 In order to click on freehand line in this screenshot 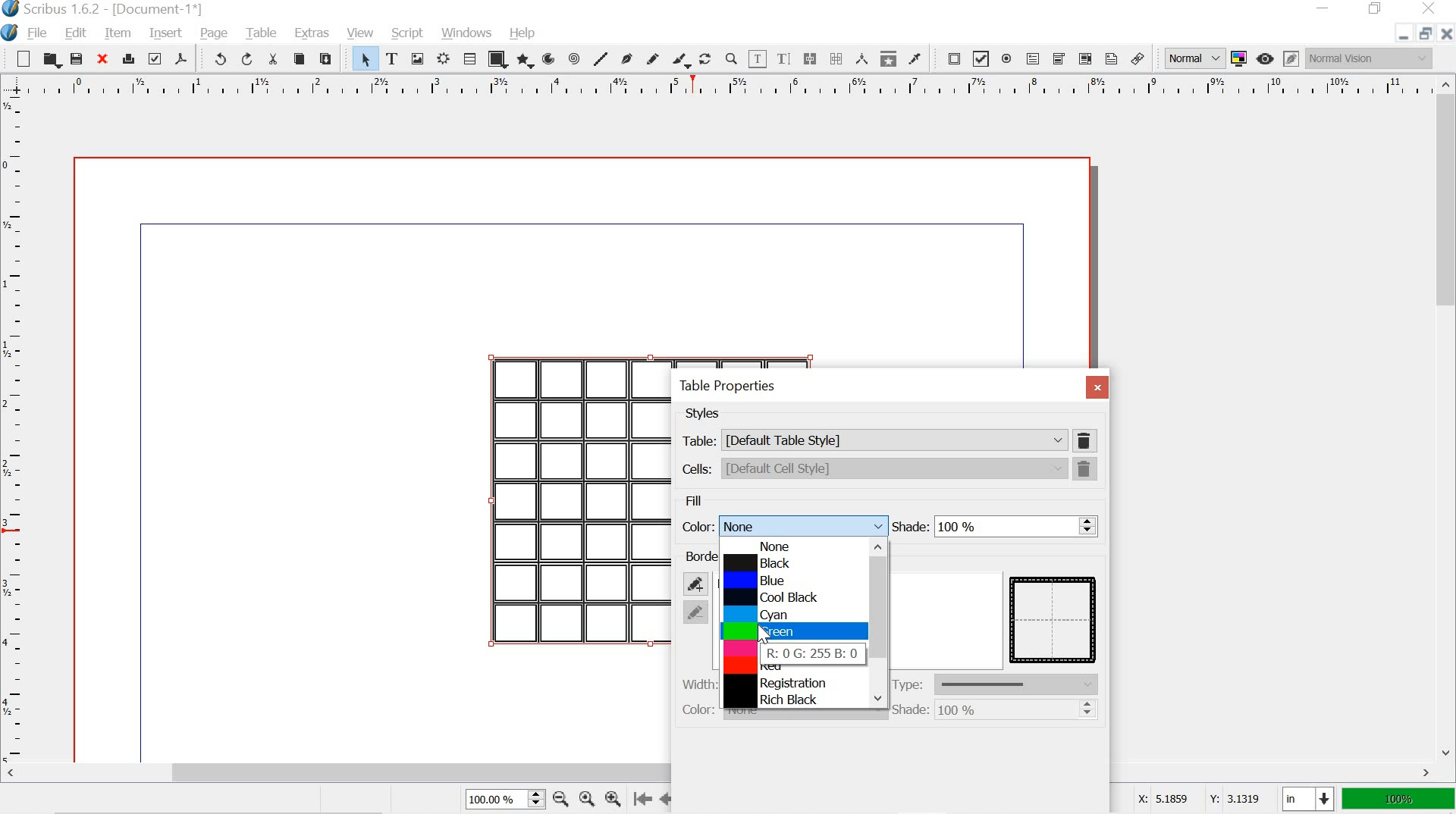, I will do `click(654, 58)`.